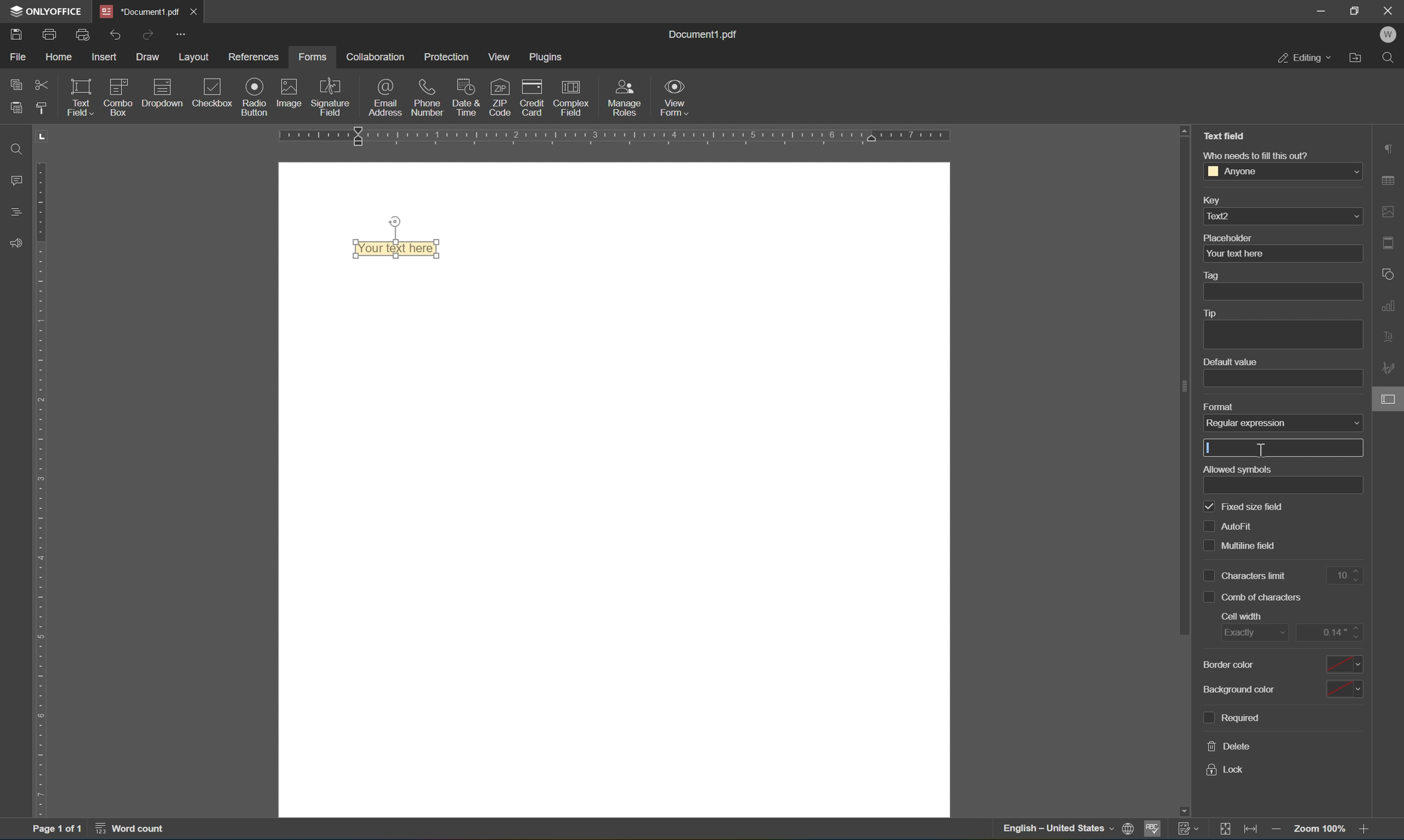 This screenshot has height=840, width=1404. What do you see at coordinates (1252, 596) in the screenshot?
I see `comb of characters` at bounding box center [1252, 596].